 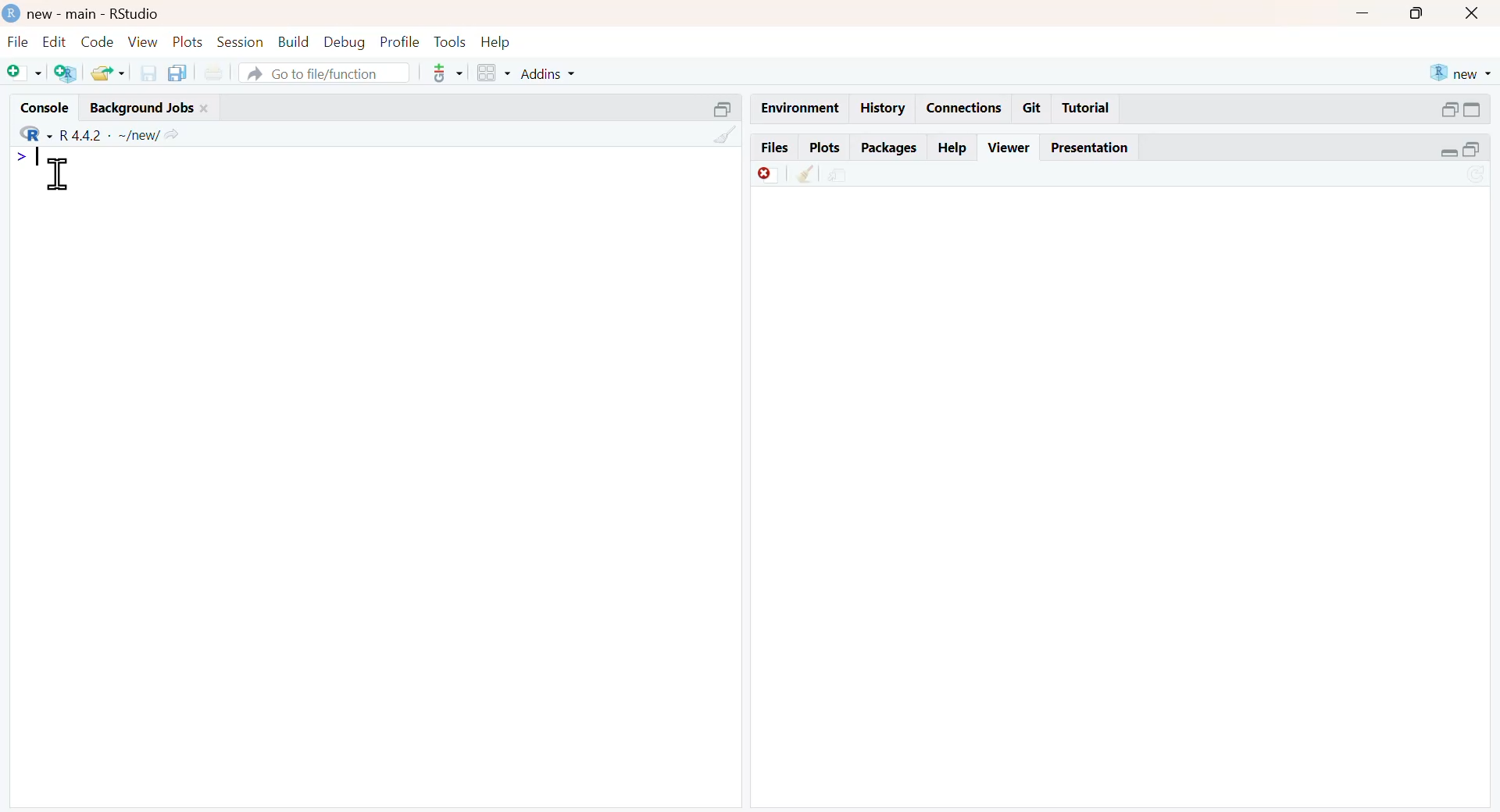 I want to click on Environment, so click(x=800, y=109).